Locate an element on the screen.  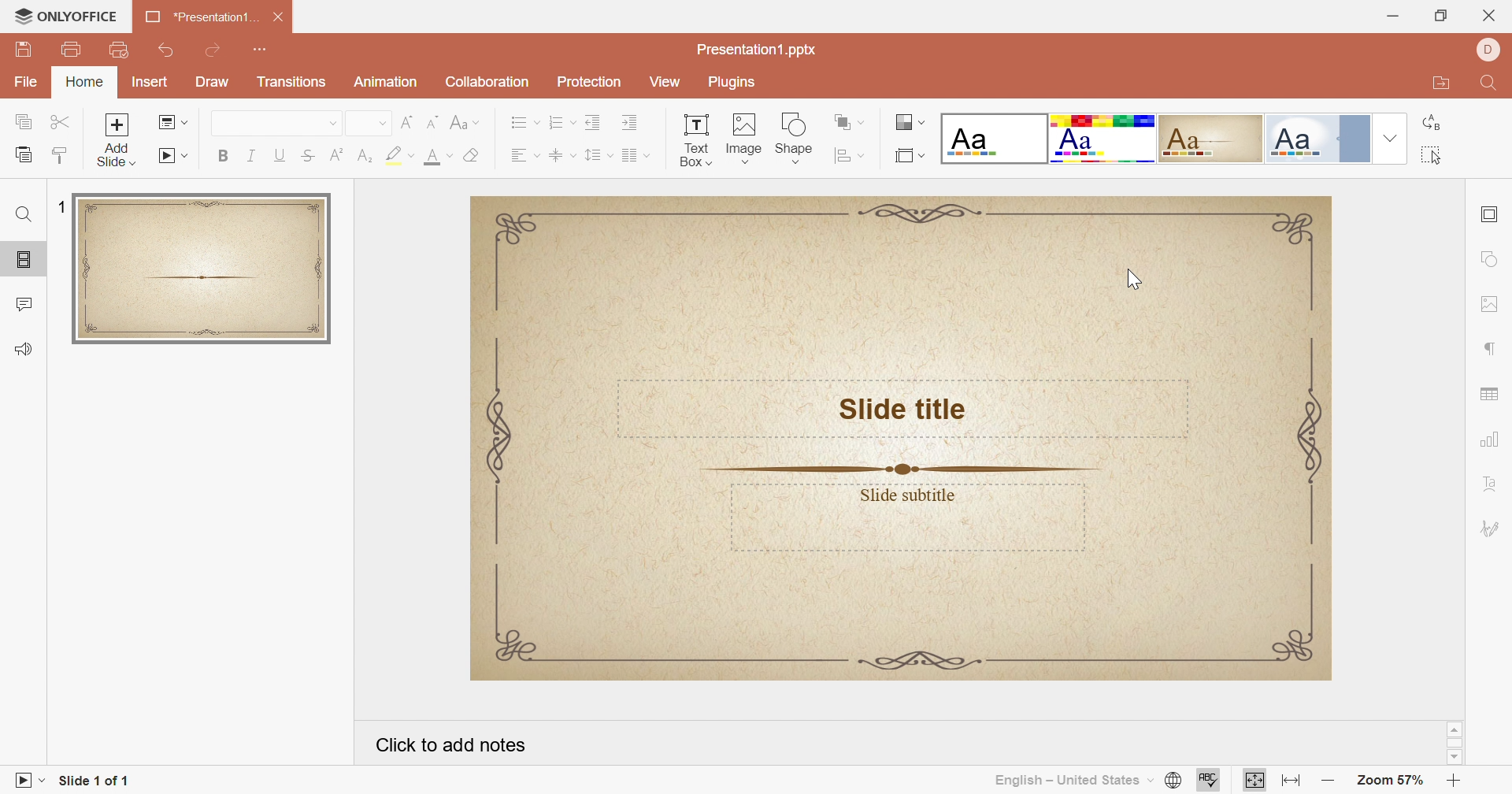
Minimize is located at coordinates (1390, 18).